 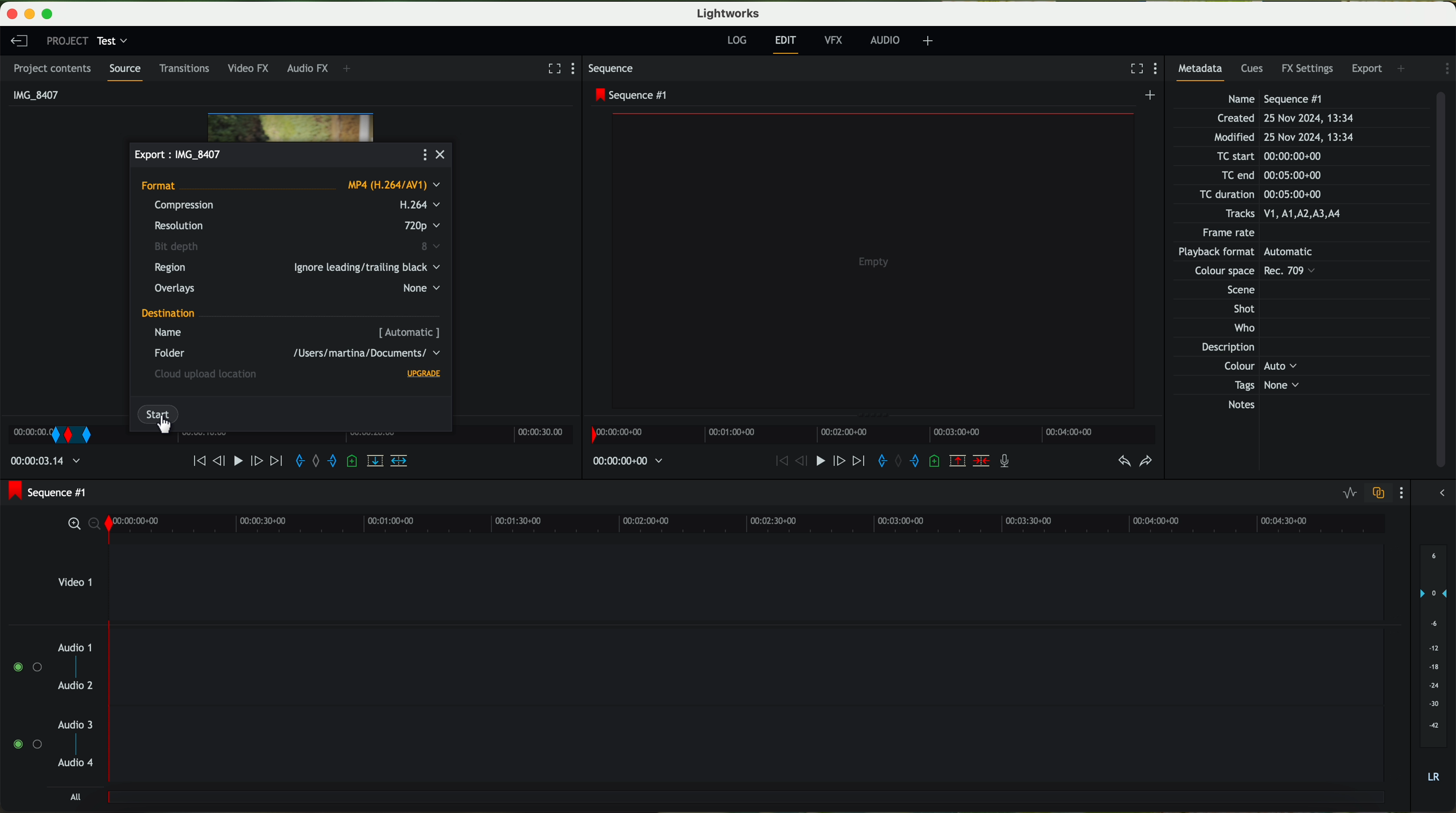 I want to click on audio 4, so click(x=76, y=766).